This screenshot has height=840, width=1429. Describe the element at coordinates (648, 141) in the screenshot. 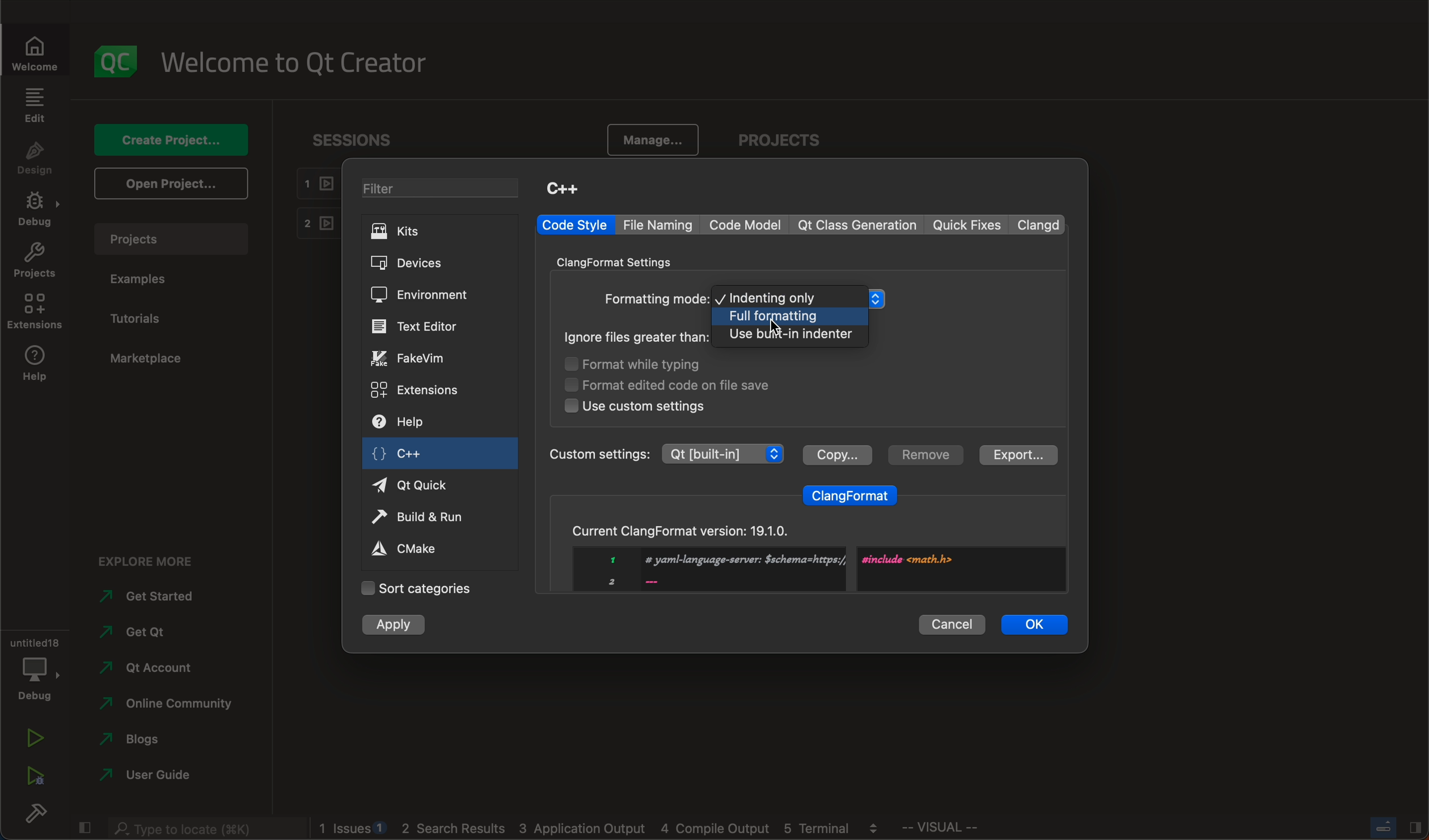

I see `manage` at that location.